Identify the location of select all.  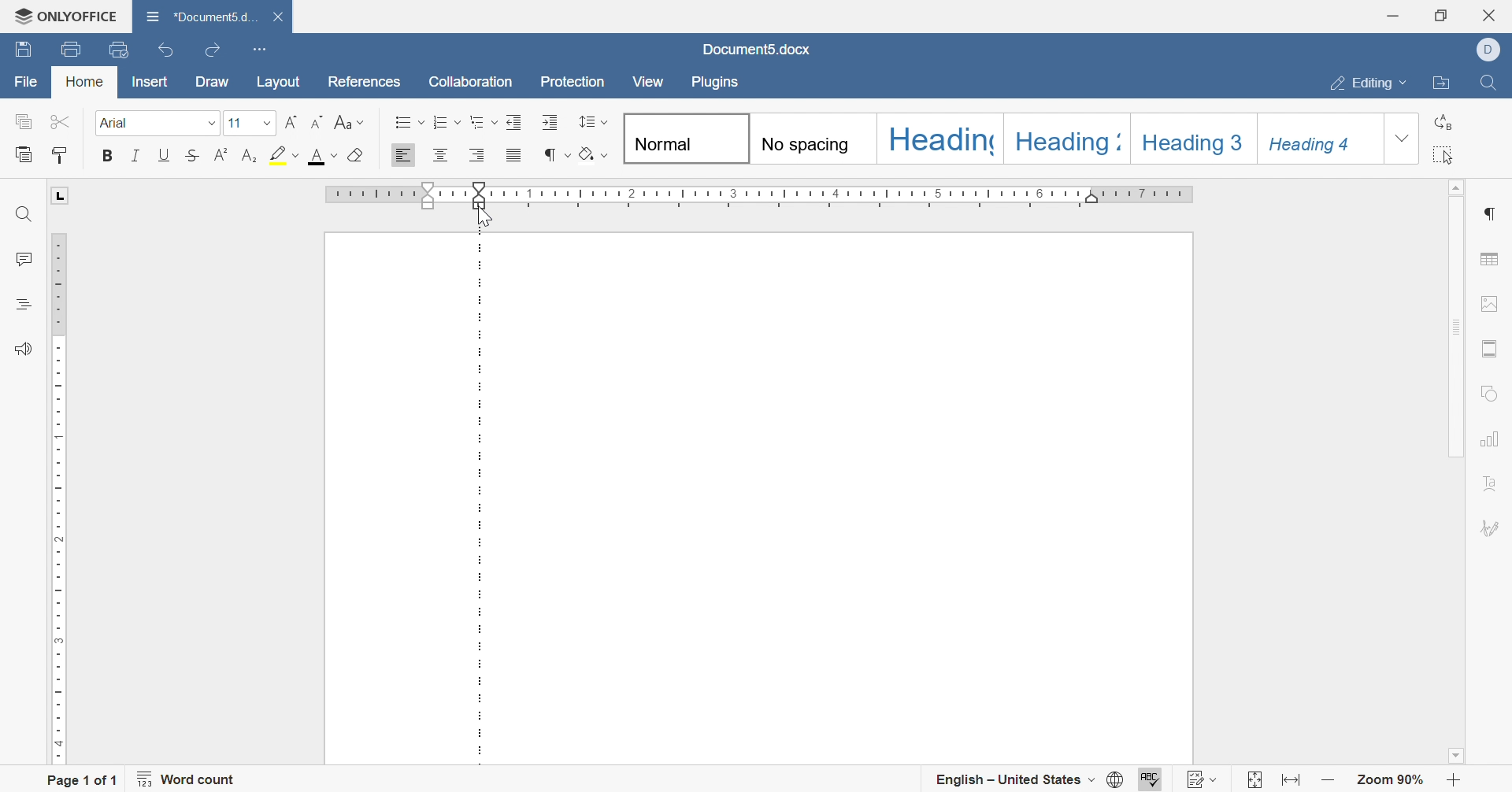
(1450, 154).